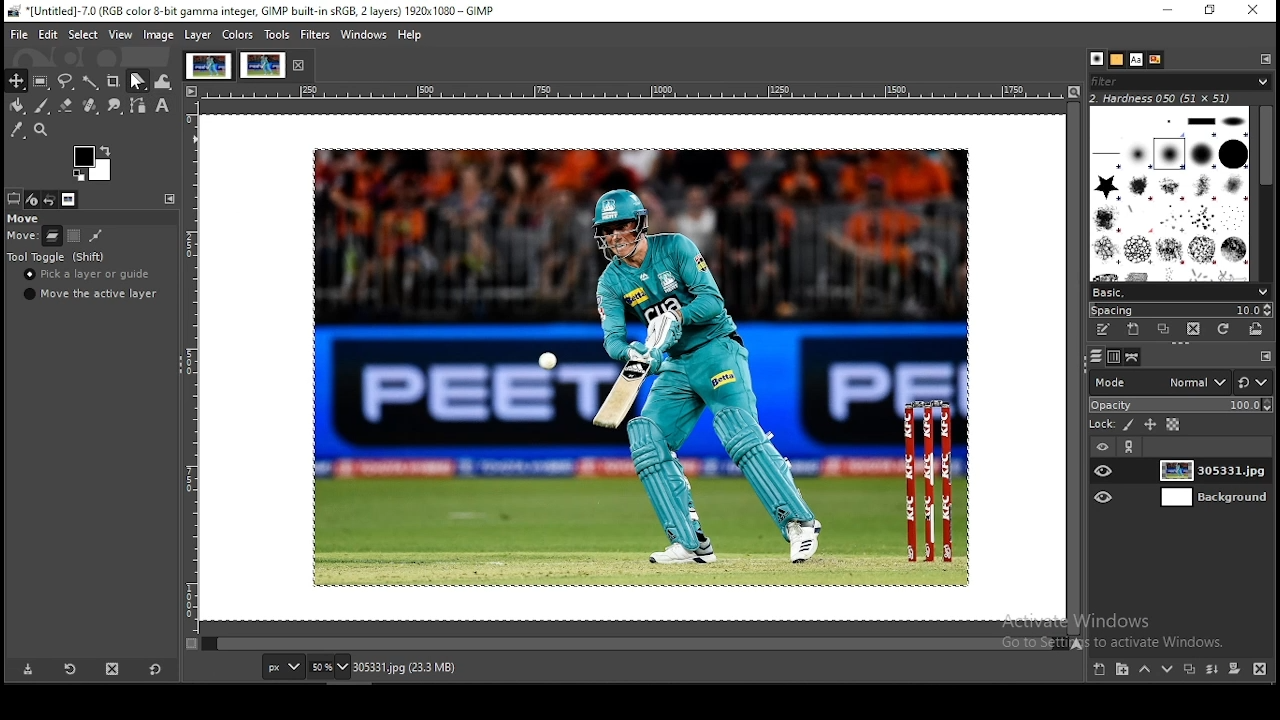 This screenshot has height=720, width=1280. Describe the element at coordinates (284, 667) in the screenshot. I see `units` at that location.